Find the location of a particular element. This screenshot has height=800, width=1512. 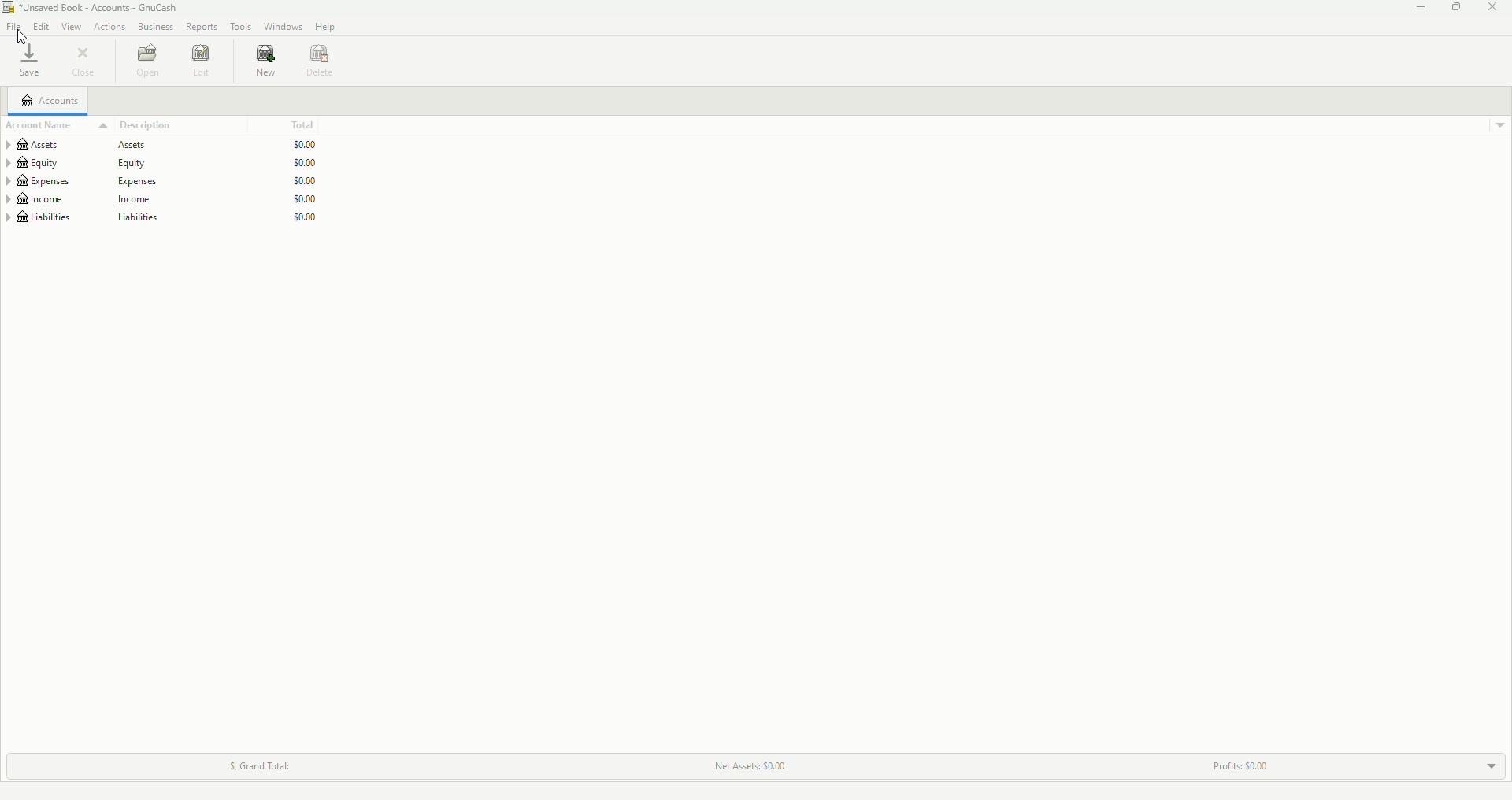

Minimize is located at coordinates (1421, 9).